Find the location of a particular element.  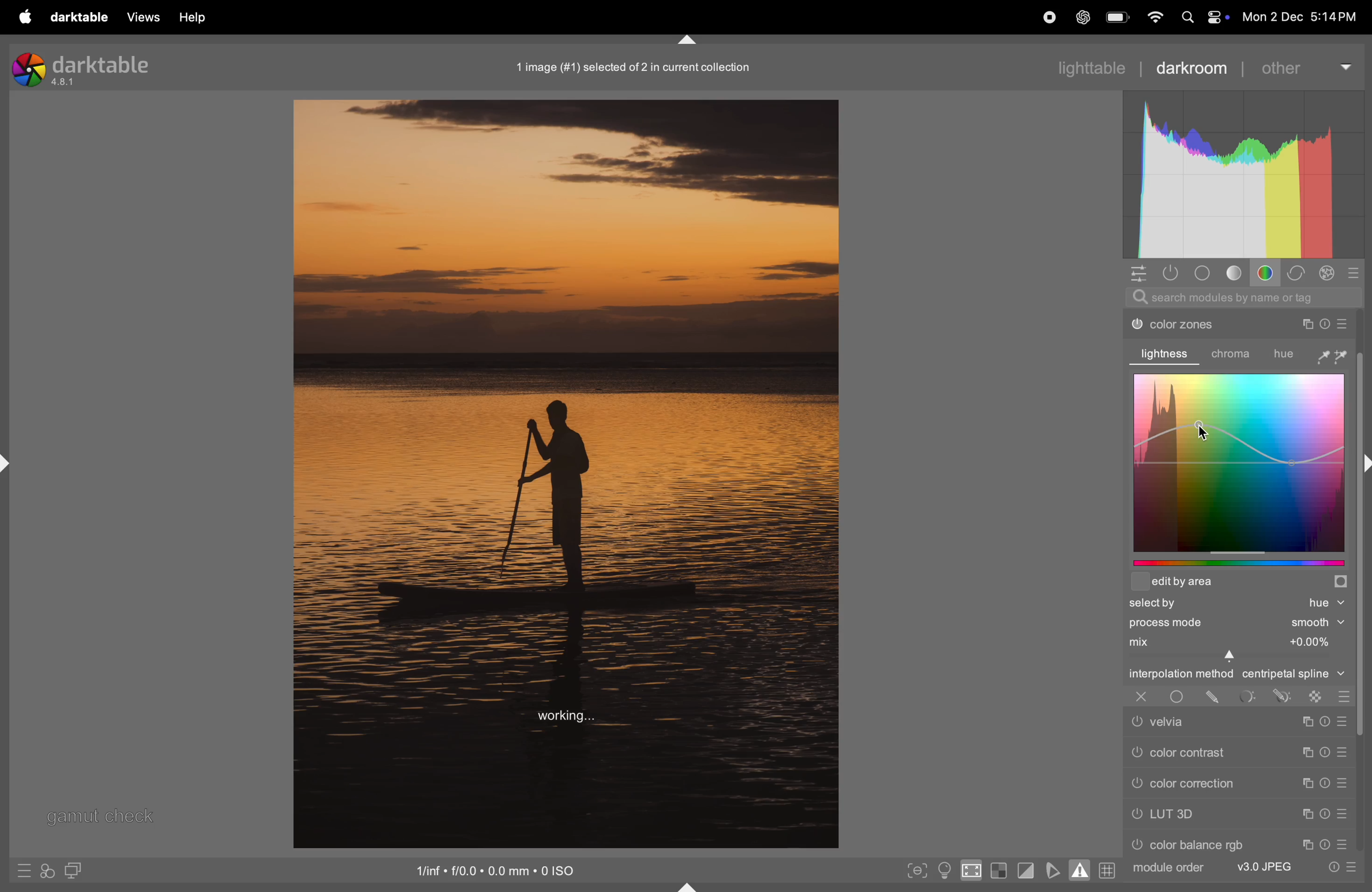

 is located at coordinates (1171, 271).